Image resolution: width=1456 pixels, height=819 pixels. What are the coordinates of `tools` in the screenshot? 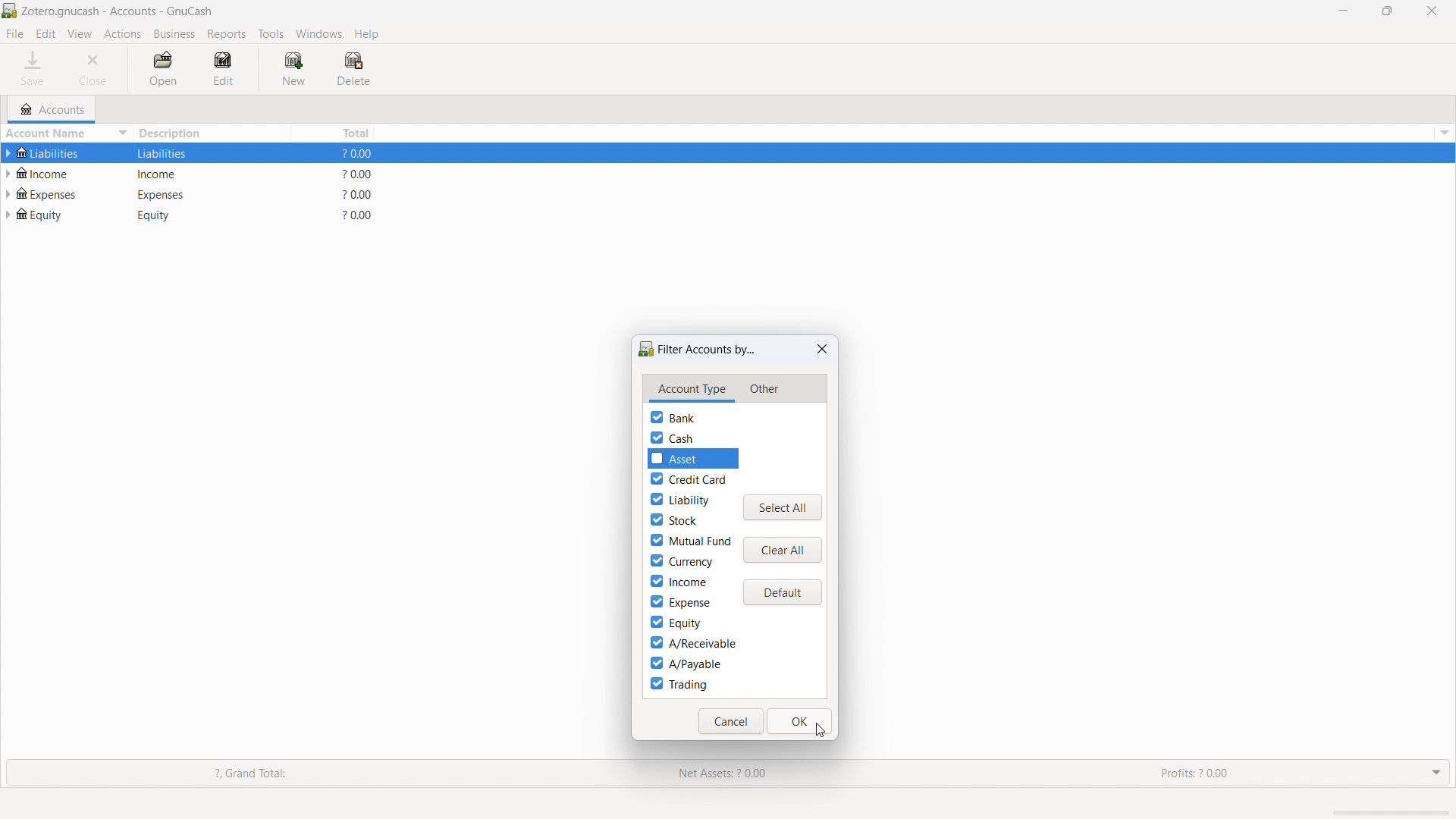 It's located at (271, 34).